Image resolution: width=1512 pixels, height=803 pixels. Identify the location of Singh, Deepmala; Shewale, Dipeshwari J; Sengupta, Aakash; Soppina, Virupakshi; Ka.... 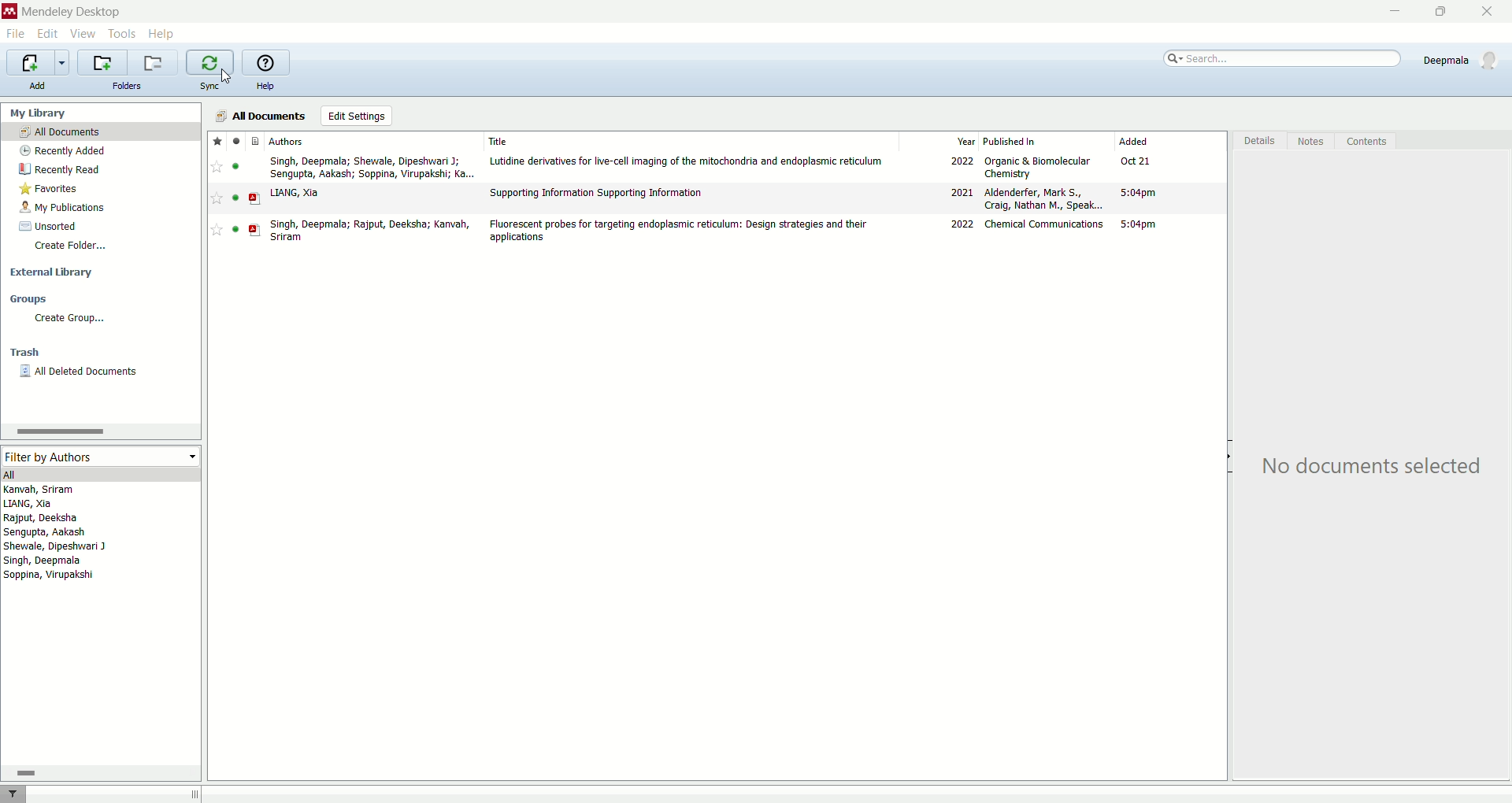
(372, 168).